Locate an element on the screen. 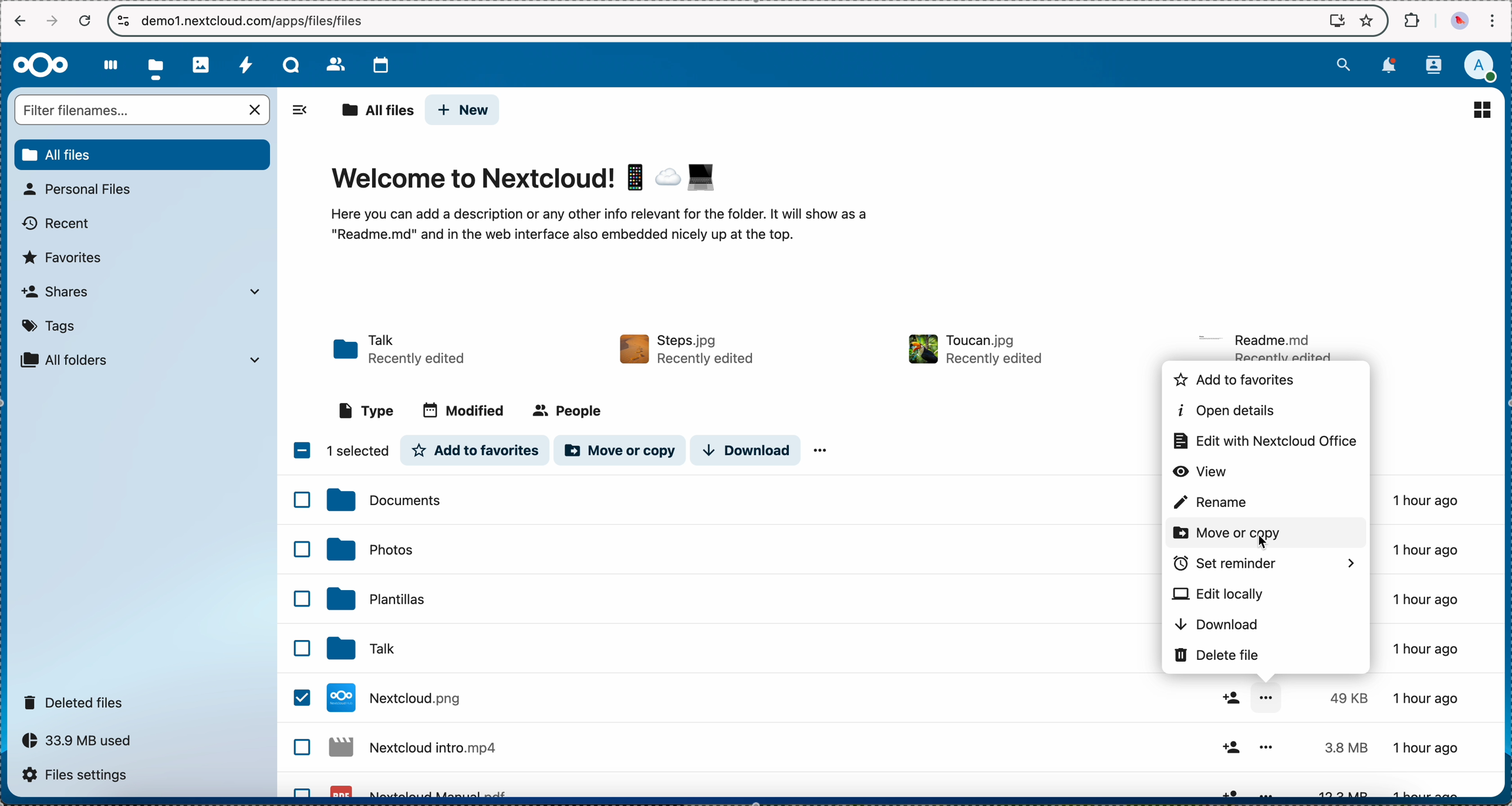 Image resolution: width=1512 pixels, height=806 pixels. dashboard is located at coordinates (109, 63).